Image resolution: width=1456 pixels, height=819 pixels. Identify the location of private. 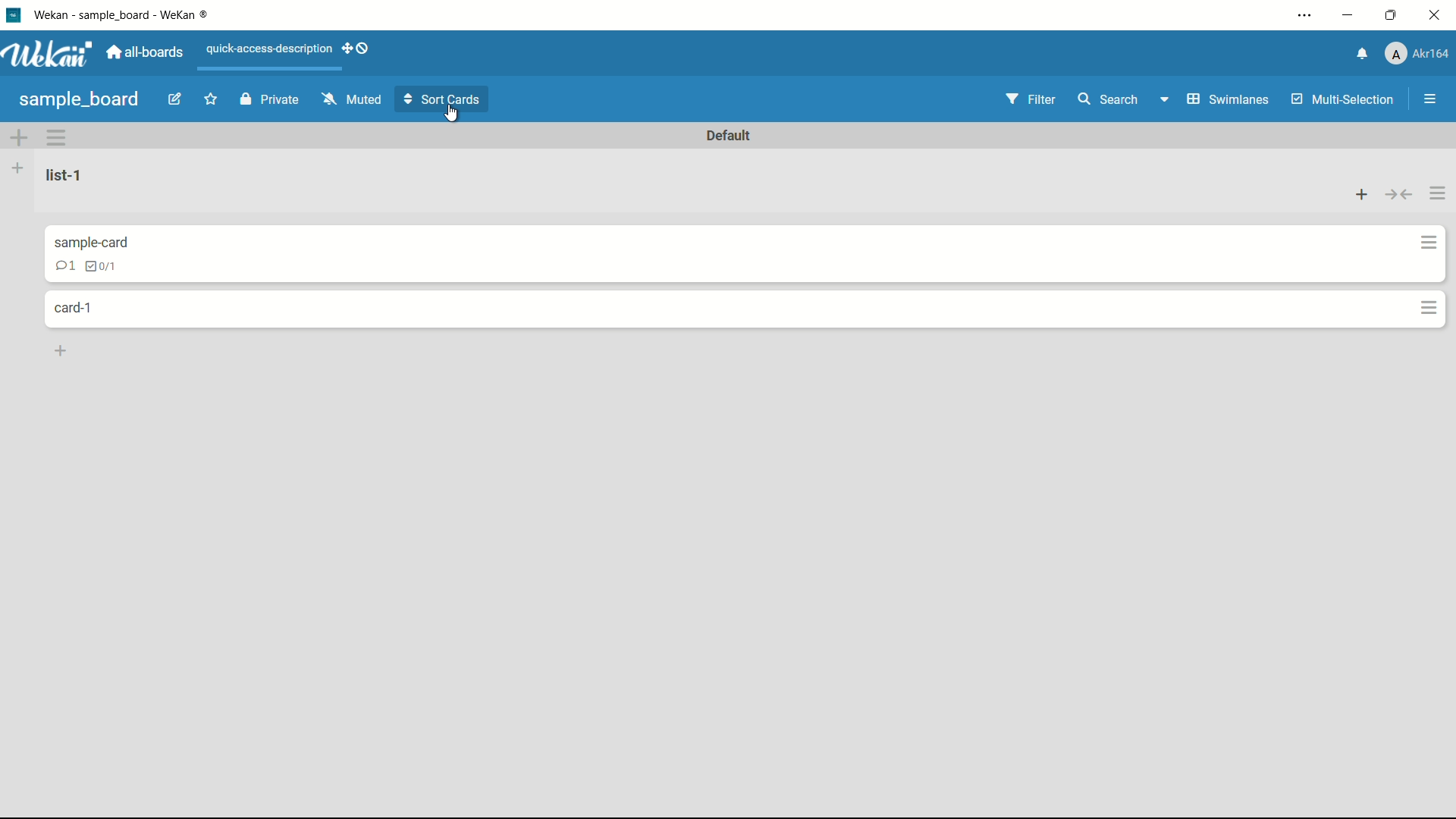
(269, 101).